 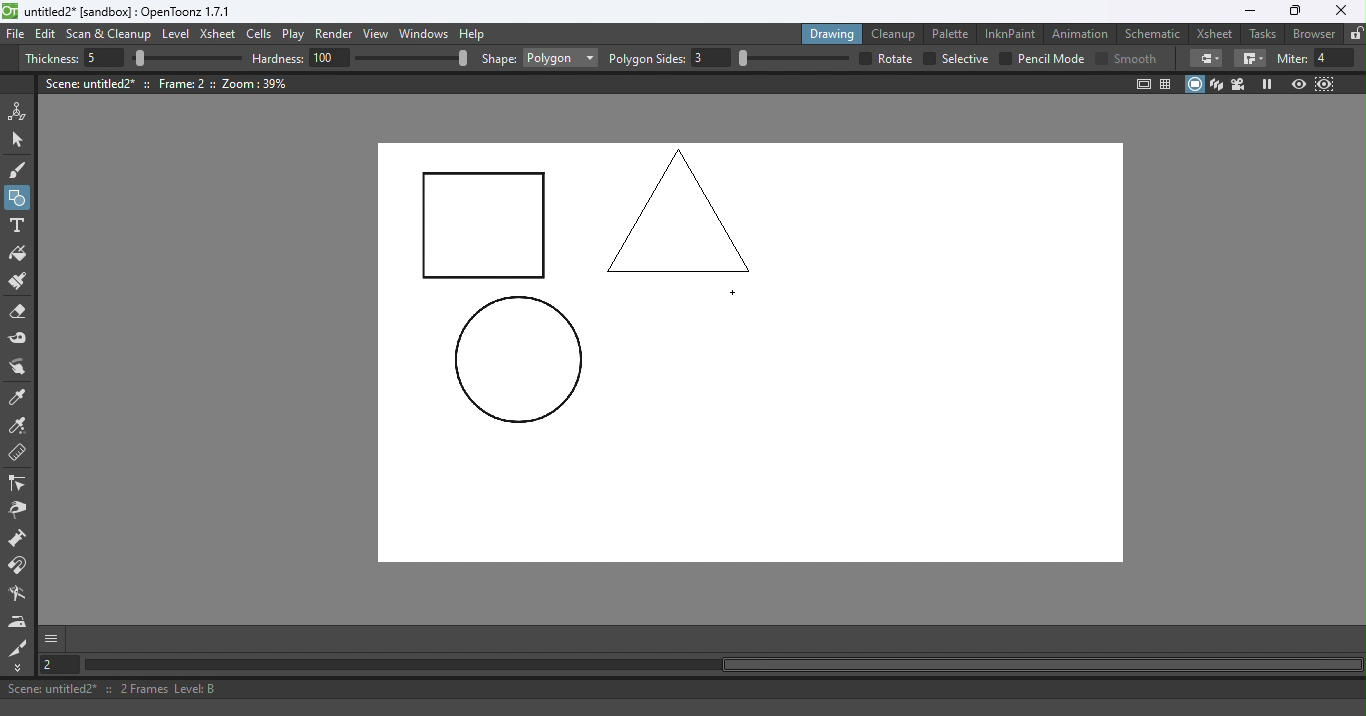 I want to click on Pinch tool, so click(x=17, y=513).